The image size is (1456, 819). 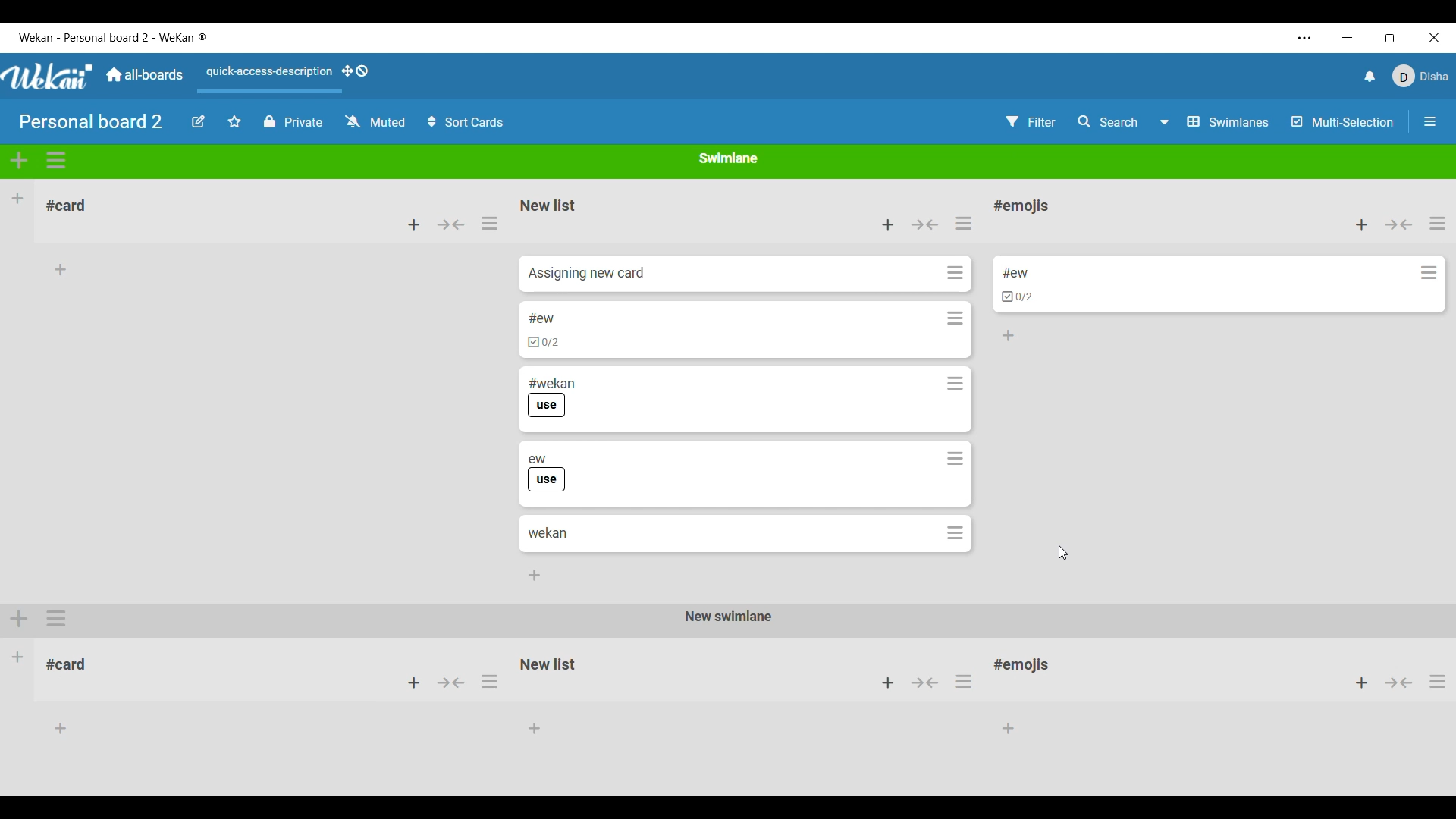 What do you see at coordinates (1398, 224) in the screenshot?
I see `Collapse` at bounding box center [1398, 224].